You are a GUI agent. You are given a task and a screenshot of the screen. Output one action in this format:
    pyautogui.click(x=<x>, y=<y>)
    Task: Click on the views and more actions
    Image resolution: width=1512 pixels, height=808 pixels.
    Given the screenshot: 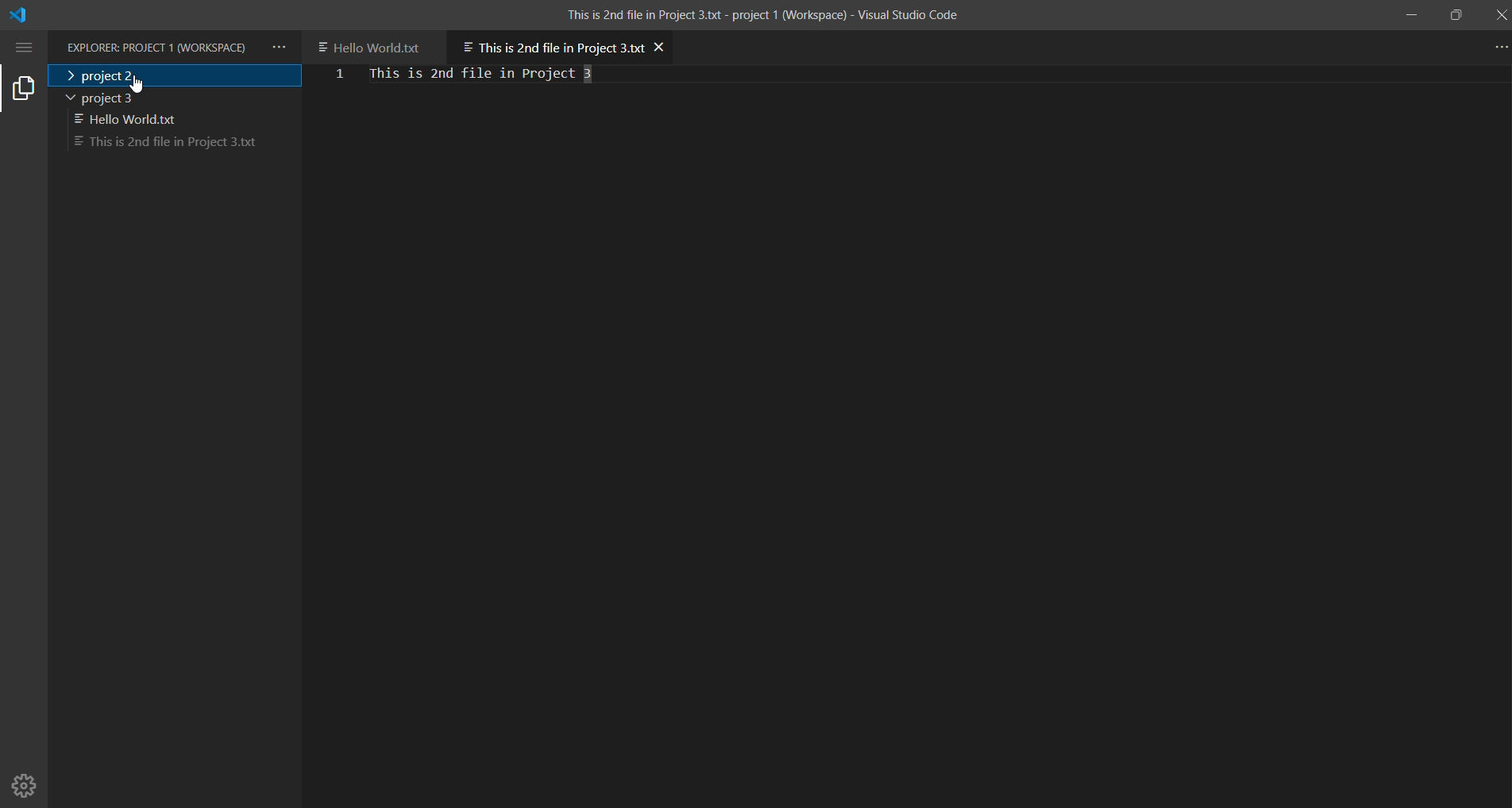 What is the action you would take?
    pyautogui.click(x=279, y=48)
    